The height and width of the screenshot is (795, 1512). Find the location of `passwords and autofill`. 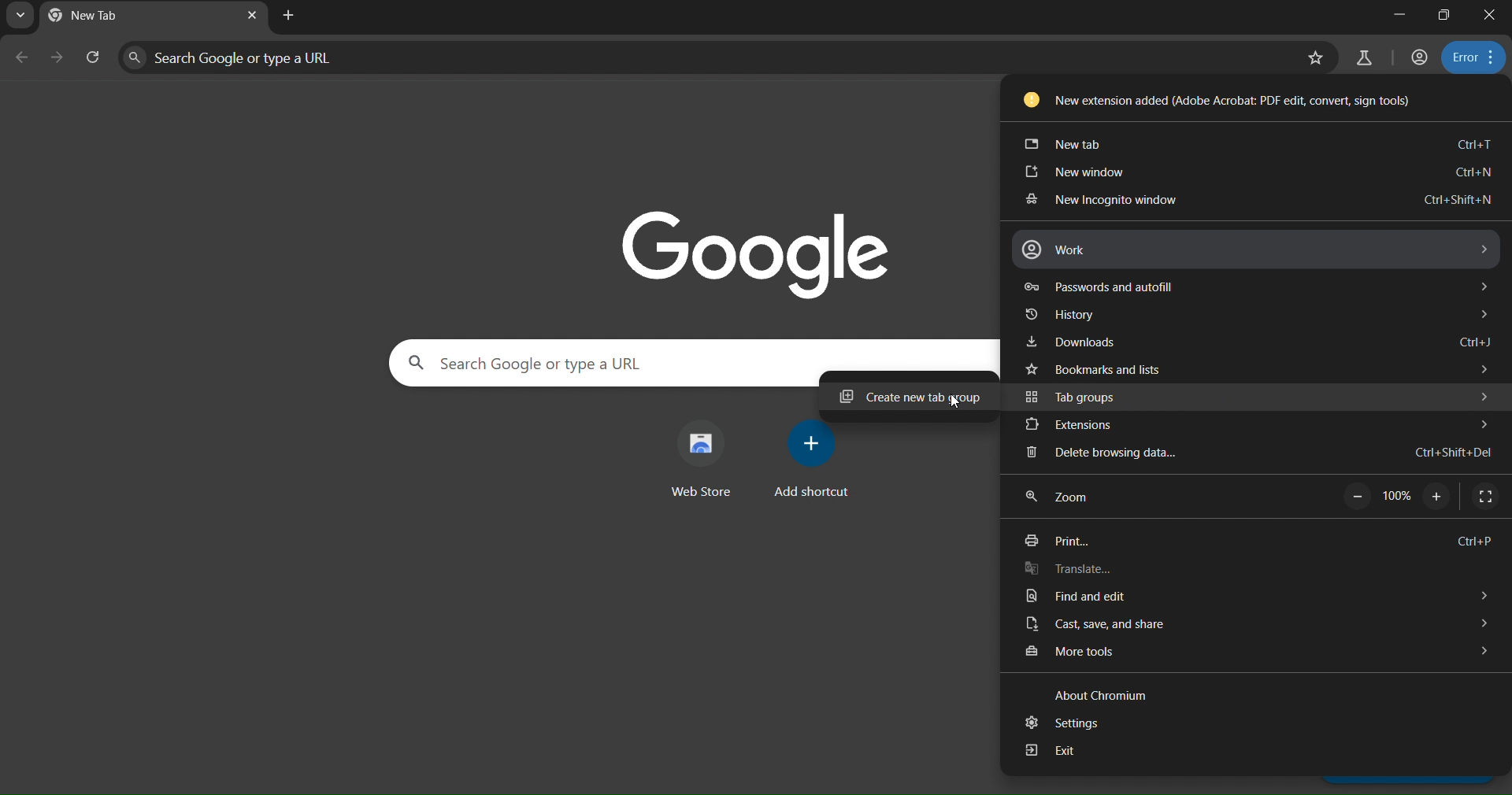

passwords and autofill is located at coordinates (1257, 283).